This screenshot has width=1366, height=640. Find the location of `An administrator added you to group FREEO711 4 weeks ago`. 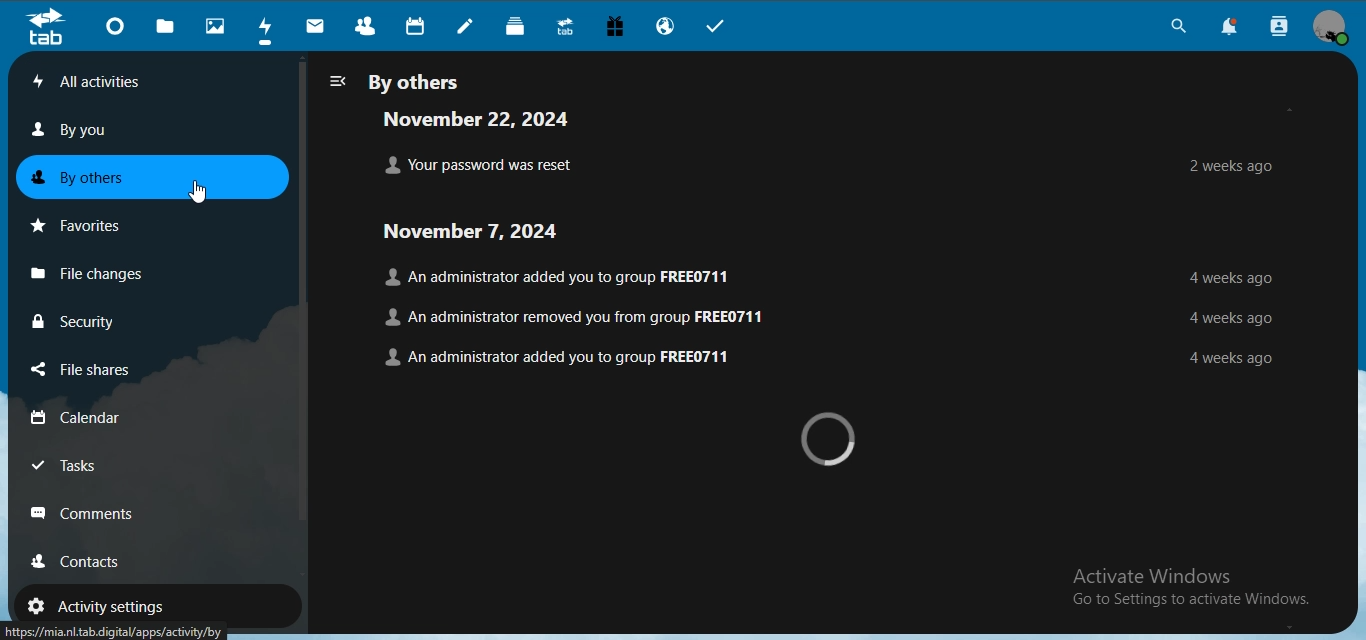

An administrator added you to group FREEO711 4 weeks ago is located at coordinates (828, 277).